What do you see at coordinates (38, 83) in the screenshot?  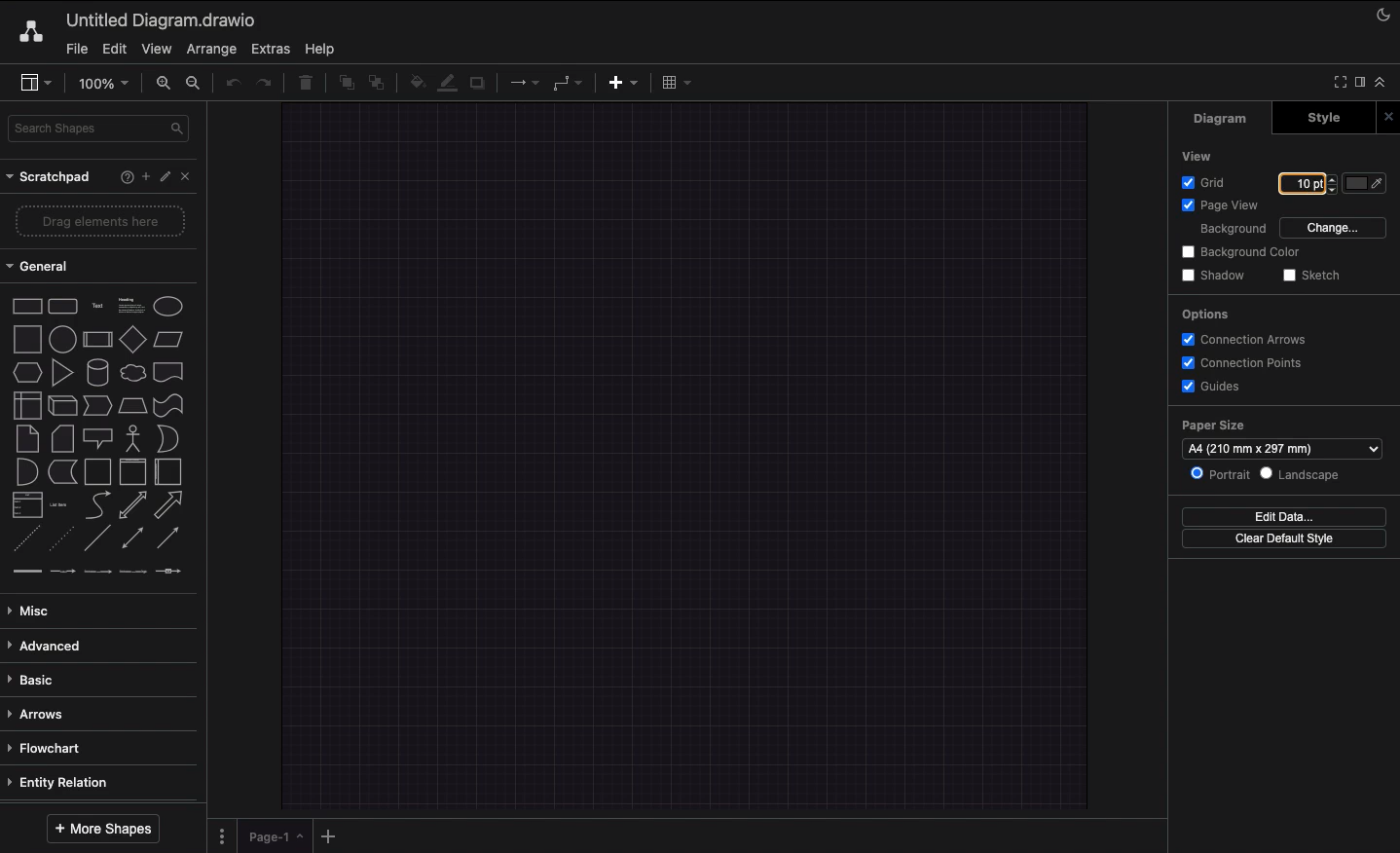 I see `Sidebar` at bounding box center [38, 83].